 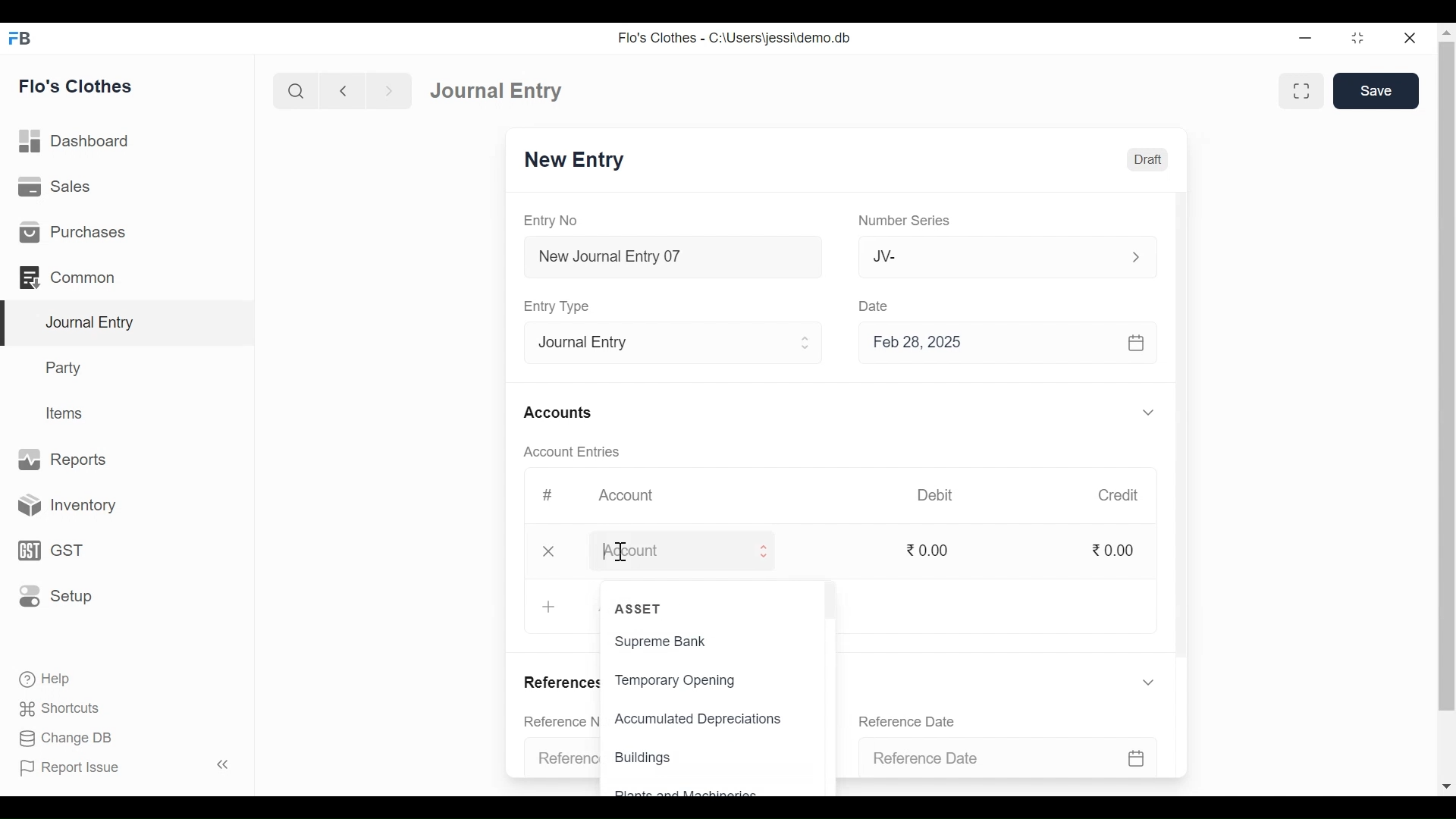 I want to click on Date, so click(x=875, y=306).